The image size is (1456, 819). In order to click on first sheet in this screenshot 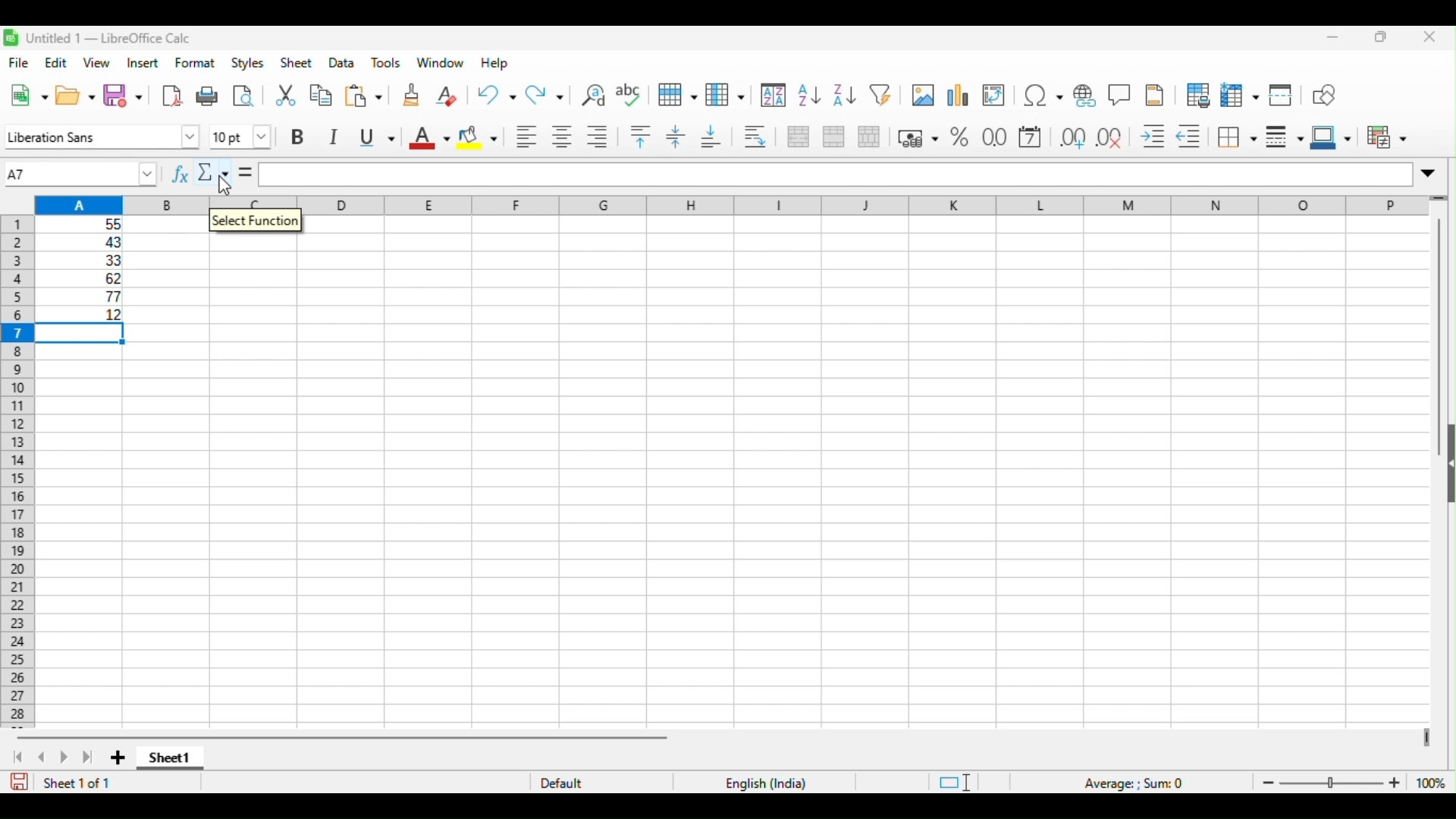, I will do `click(17, 758)`.